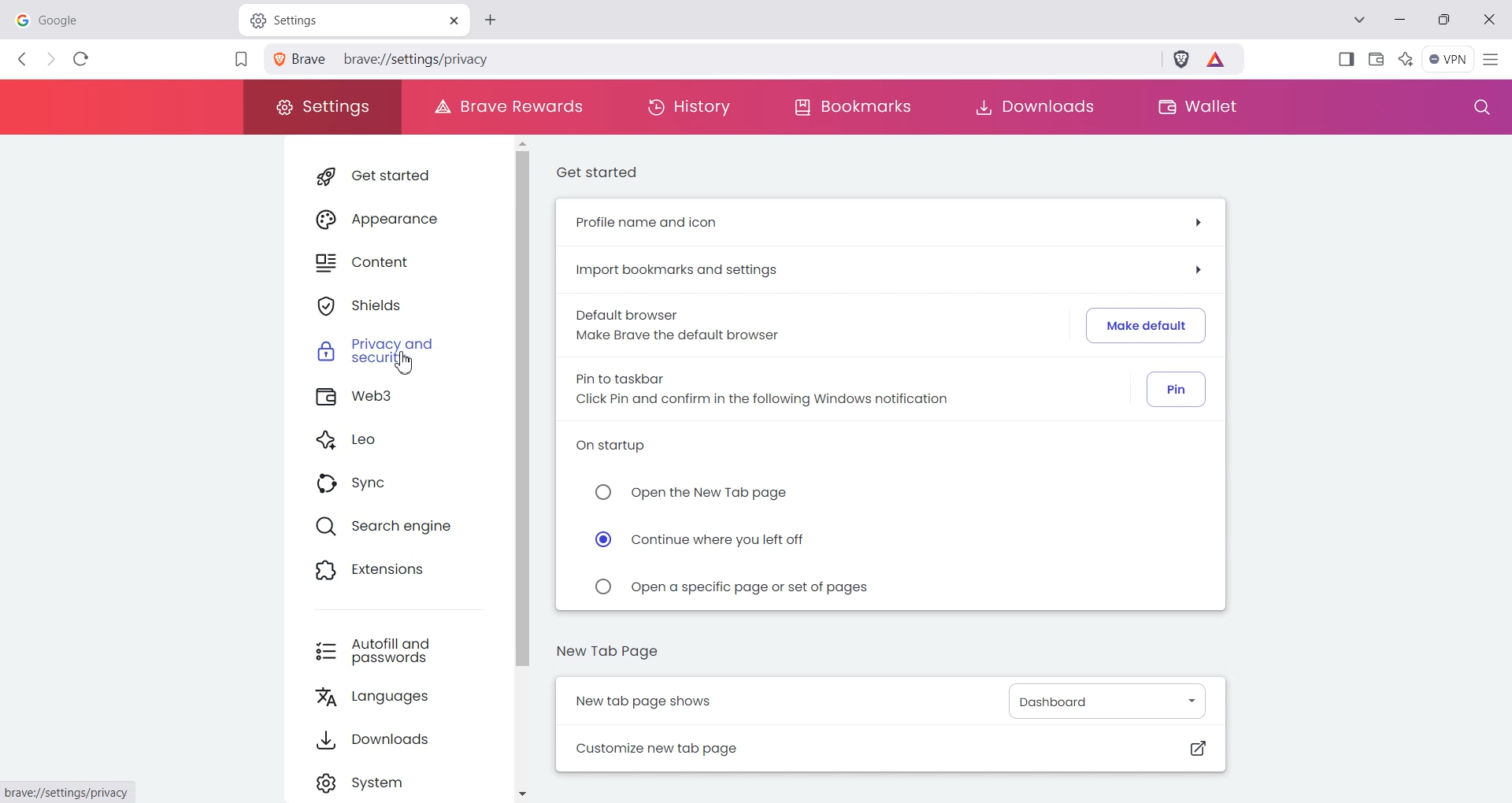 The image size is (1512, 803). Describe the element at coordinates (1377, 57) in the screenshot. I see `Wallet` at that location.